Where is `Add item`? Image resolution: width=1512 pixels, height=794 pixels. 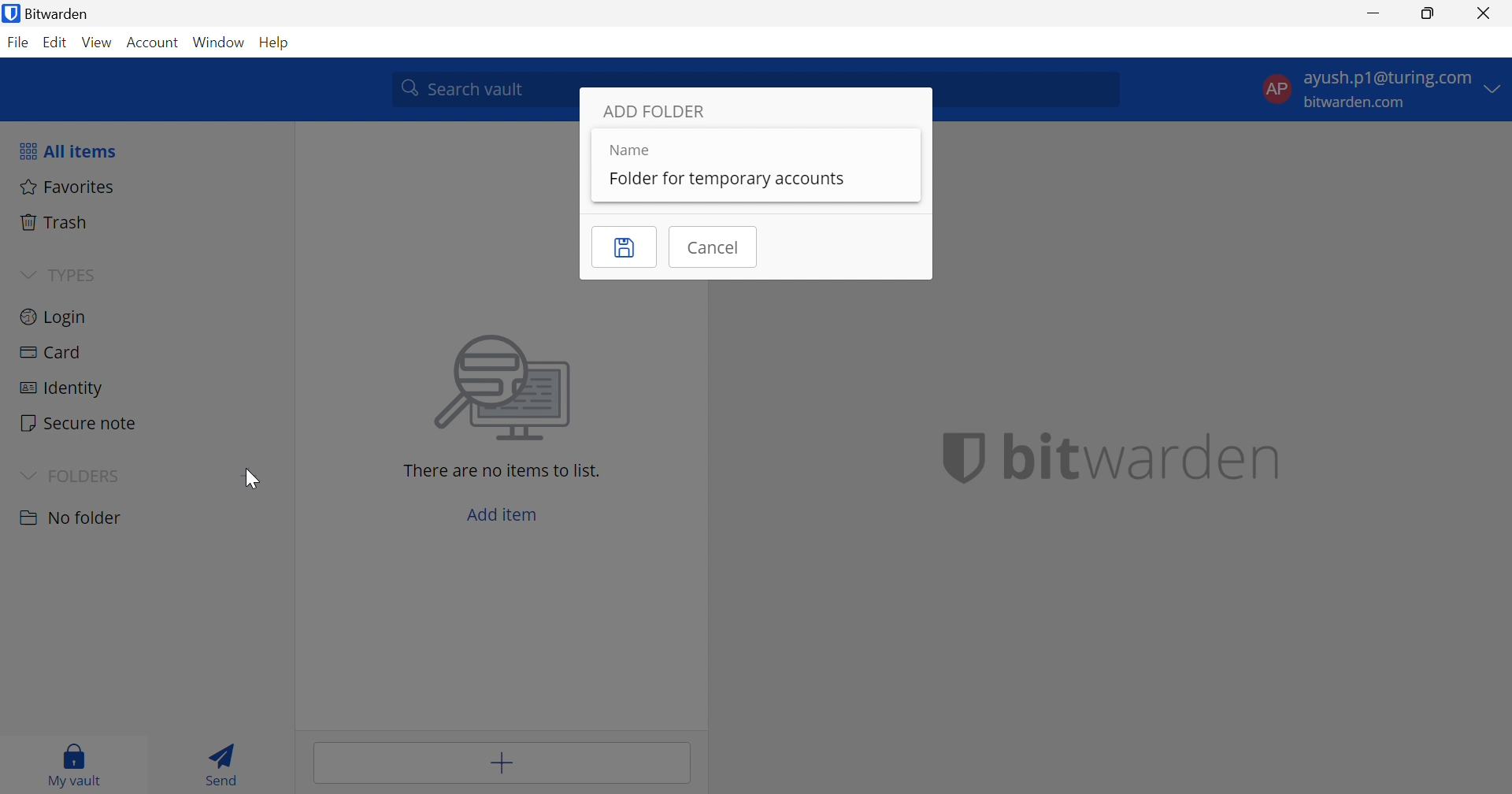
Add item is located at coordinates (502, 761).